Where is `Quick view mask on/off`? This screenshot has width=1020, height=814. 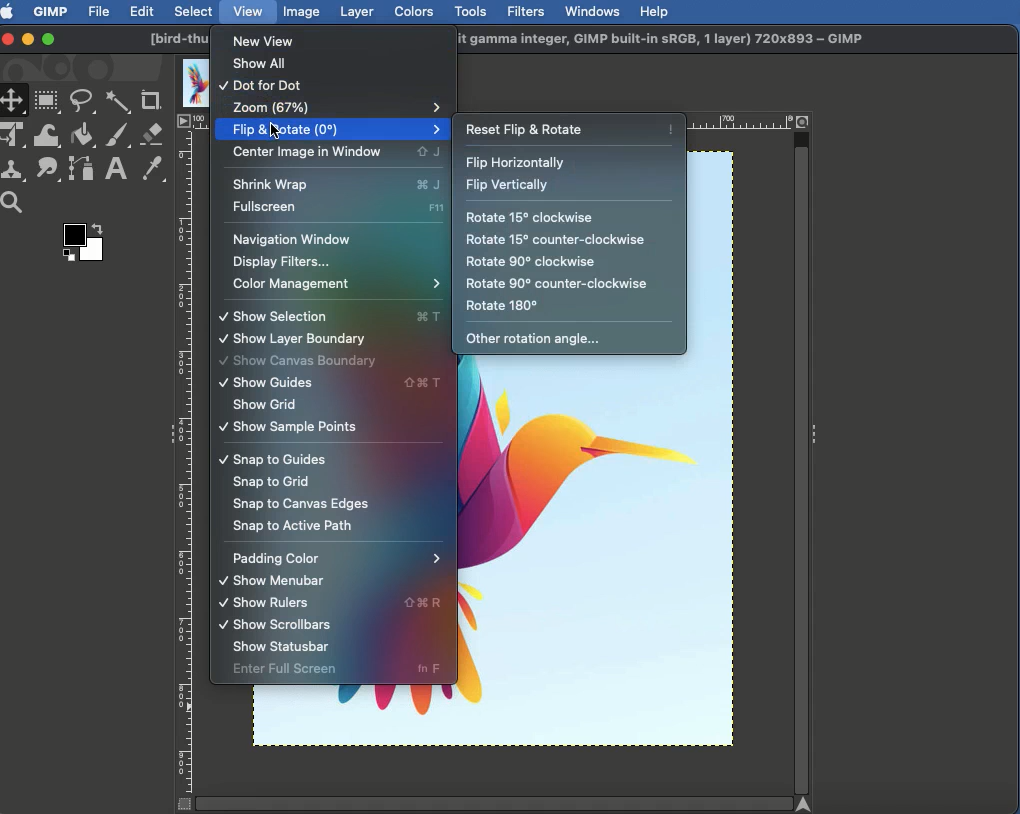 Quick view mask on/off is located at coordinates (181, 805).